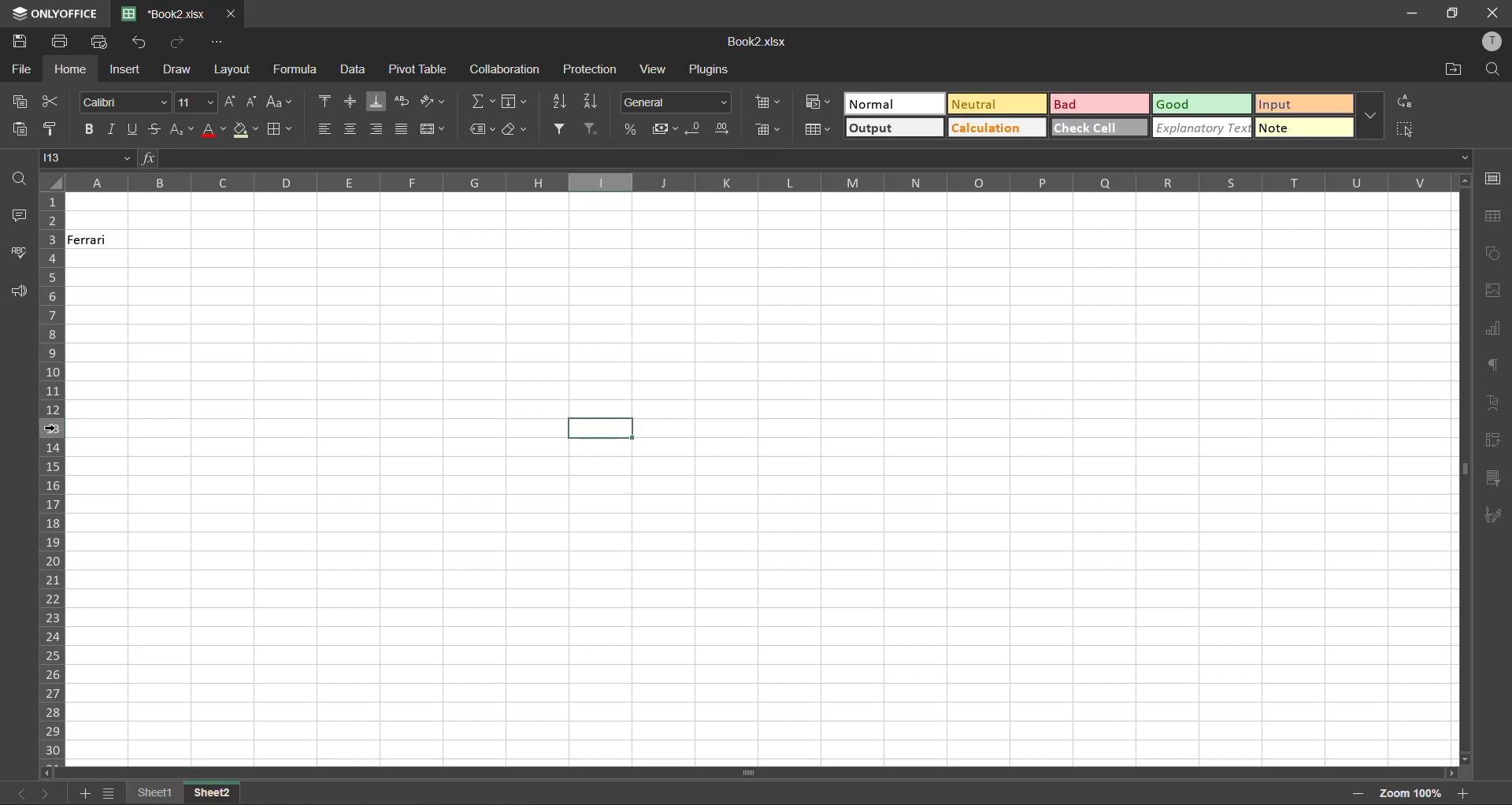 Image resolution: width=1512 pixels, height=805 pixels. What do you see at coordinates (45, 793) in the screenshot?
I see `next` at bounding box center [45, 793].